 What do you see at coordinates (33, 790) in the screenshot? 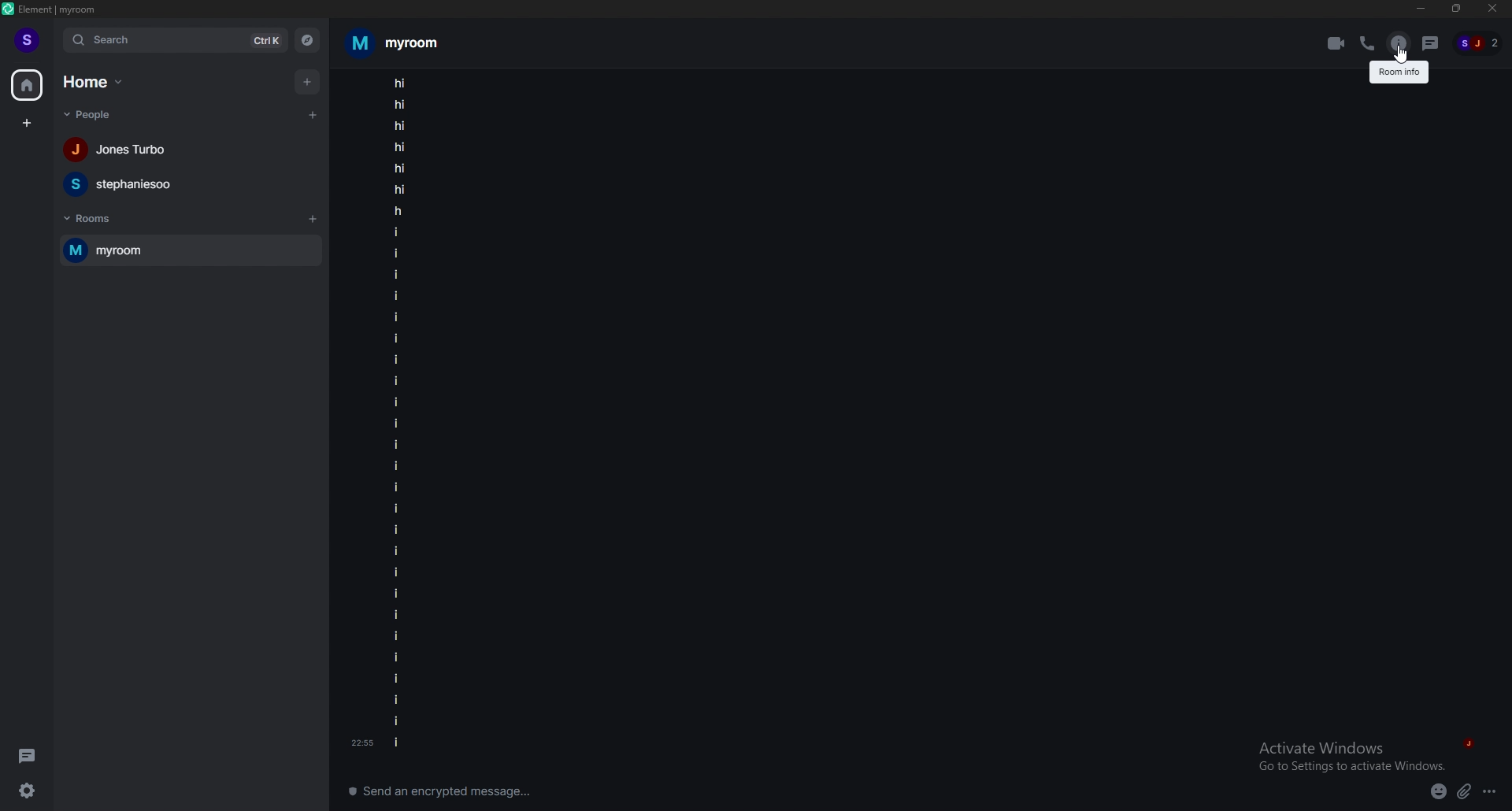
I see `settings` at bounding box center [33, 790].